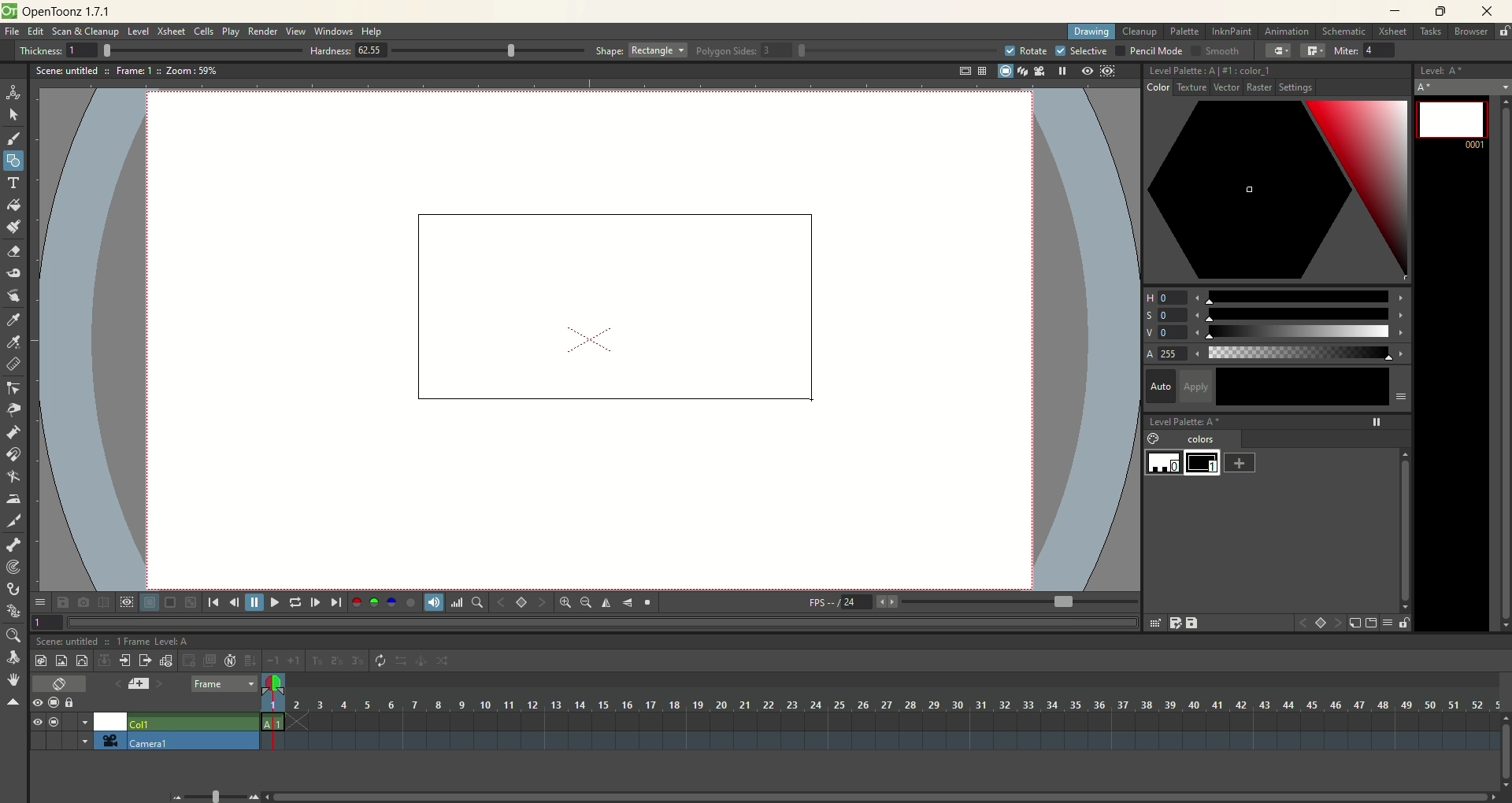 The image size is (1512, 803). I want to click on 1, so click(47, 621).